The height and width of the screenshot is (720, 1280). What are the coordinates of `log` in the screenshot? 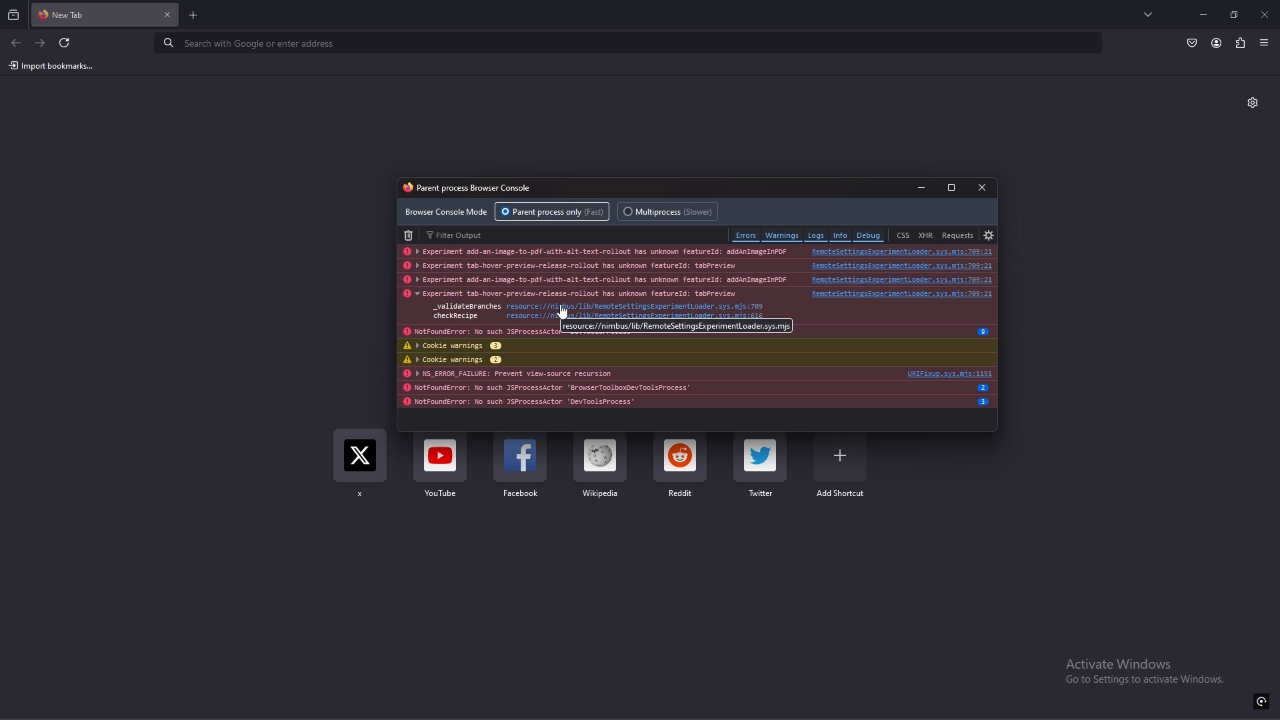 It's located at (594, 280).